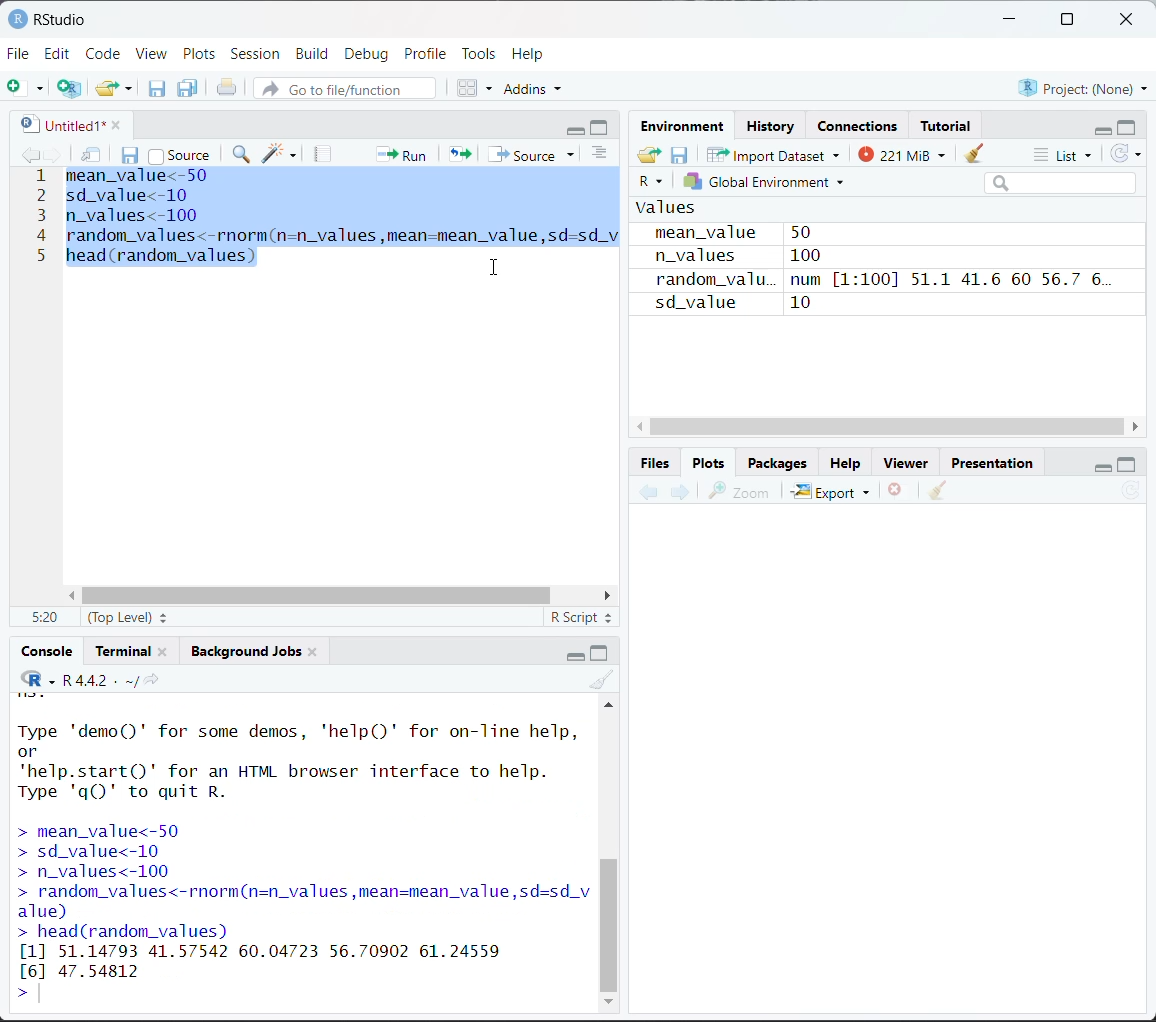  I want to click on maximize, so click(1066, 20).